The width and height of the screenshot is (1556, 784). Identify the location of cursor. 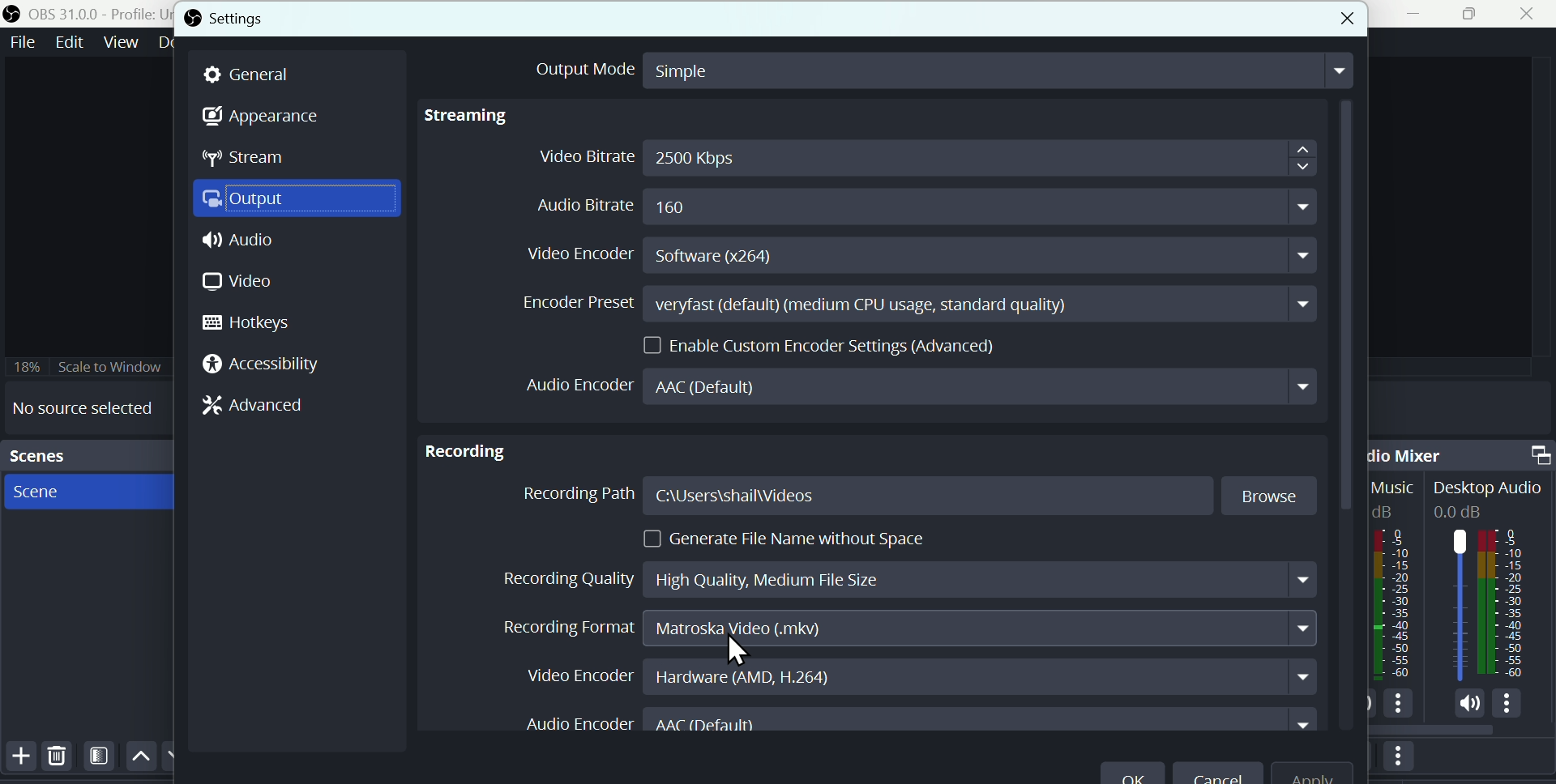
(737, 654).